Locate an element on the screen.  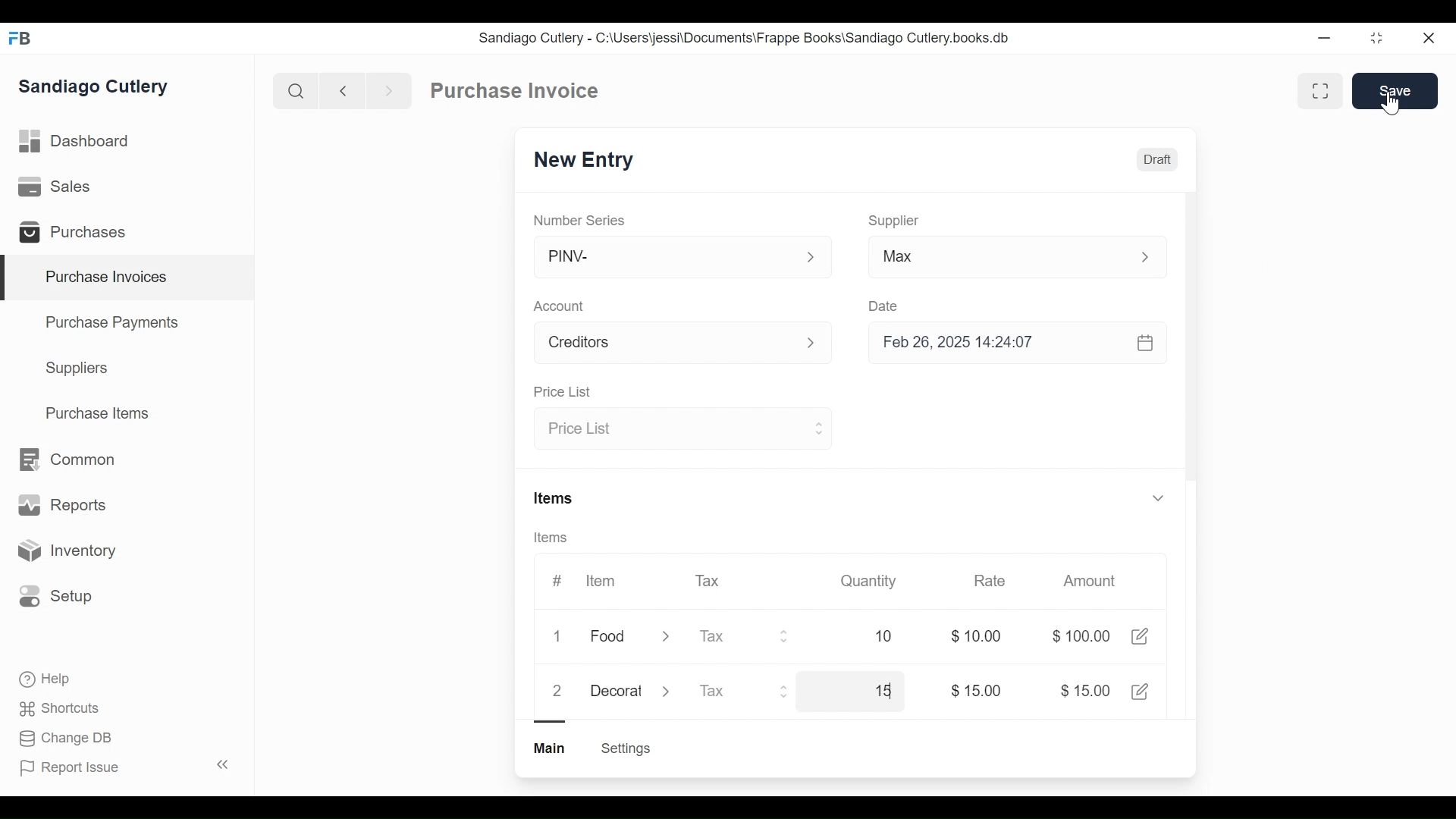
Setup is located at coordinates (56, 595).